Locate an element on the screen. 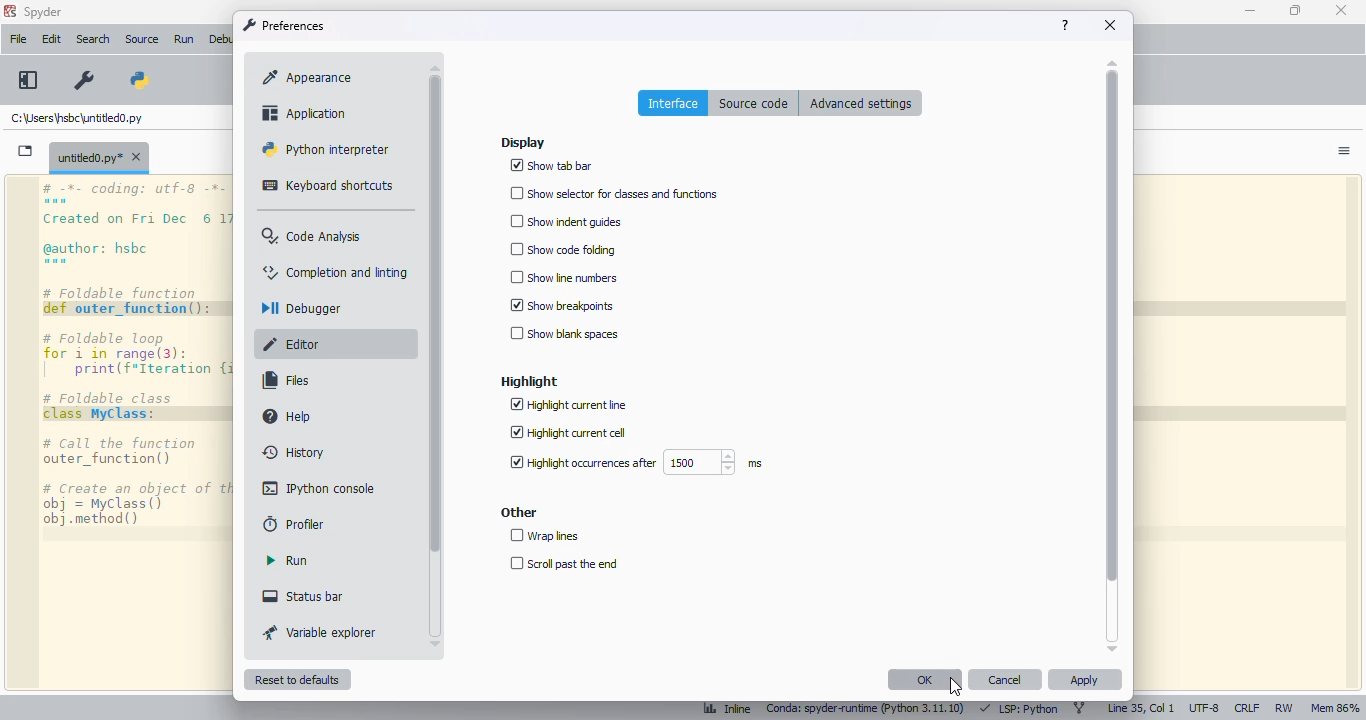  cancel is located at coordinates (1004, 679).